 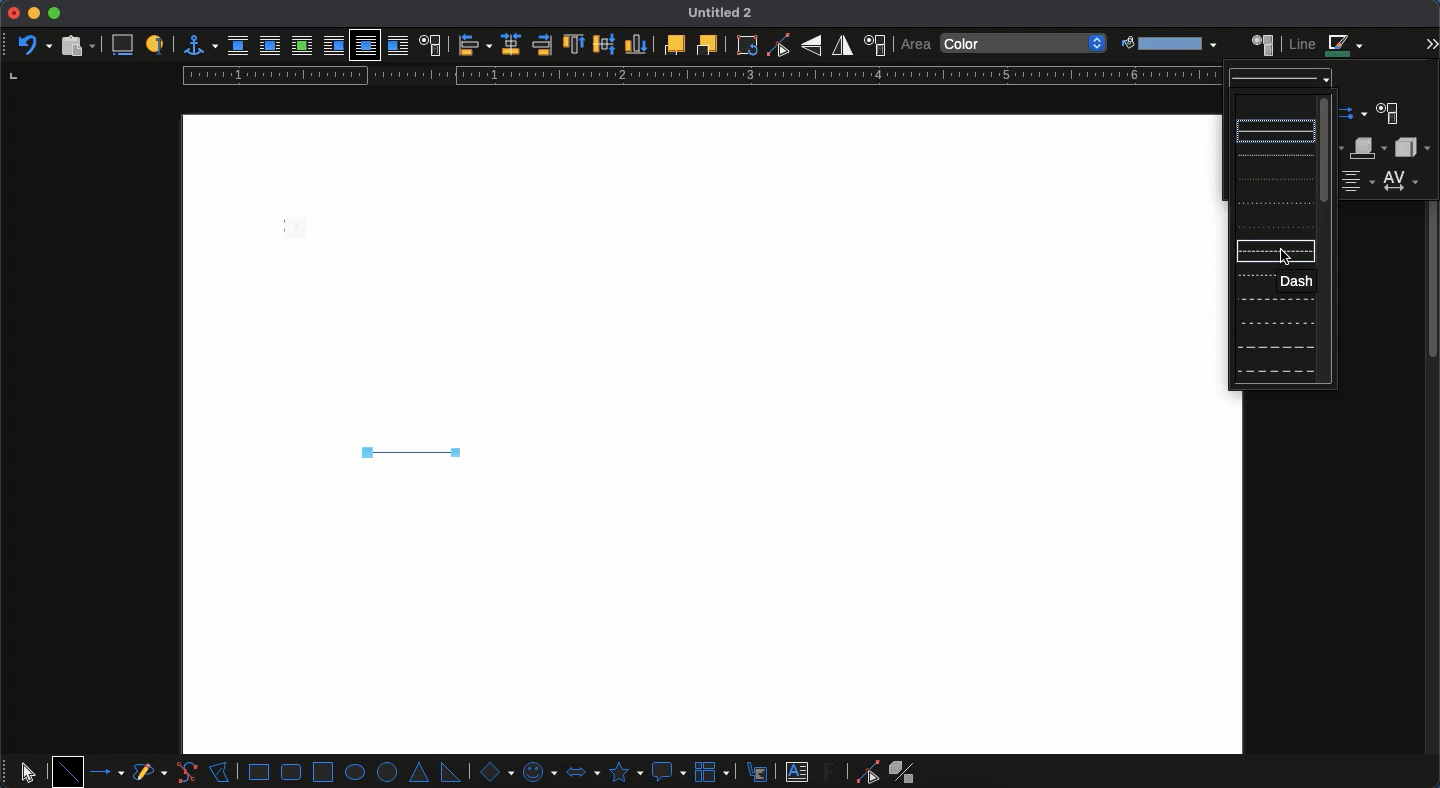 What do you see at coordinates (1359, 182) in the screenshot?
I see `footwork alignment` at bounding box center [1359, 182].